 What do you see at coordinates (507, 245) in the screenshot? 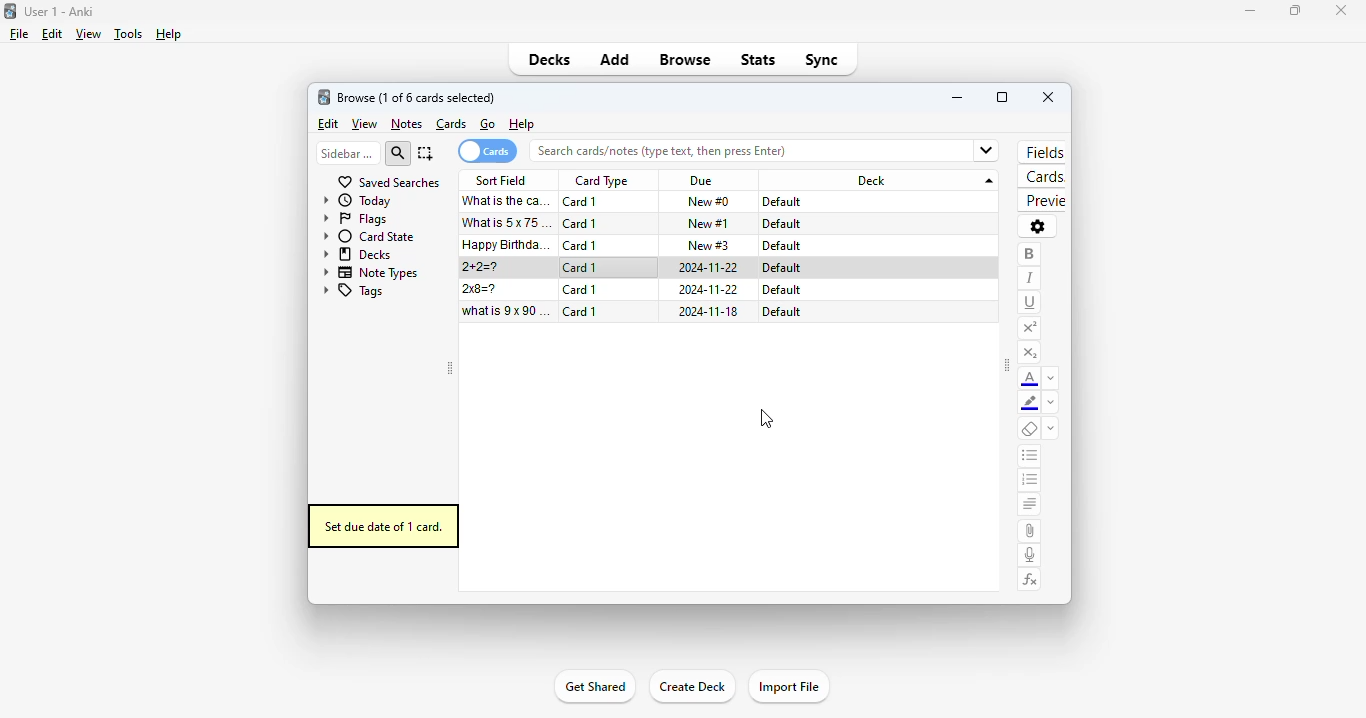
I see `happy birthday song!!!.mp3` at bounding box center [507, 245].